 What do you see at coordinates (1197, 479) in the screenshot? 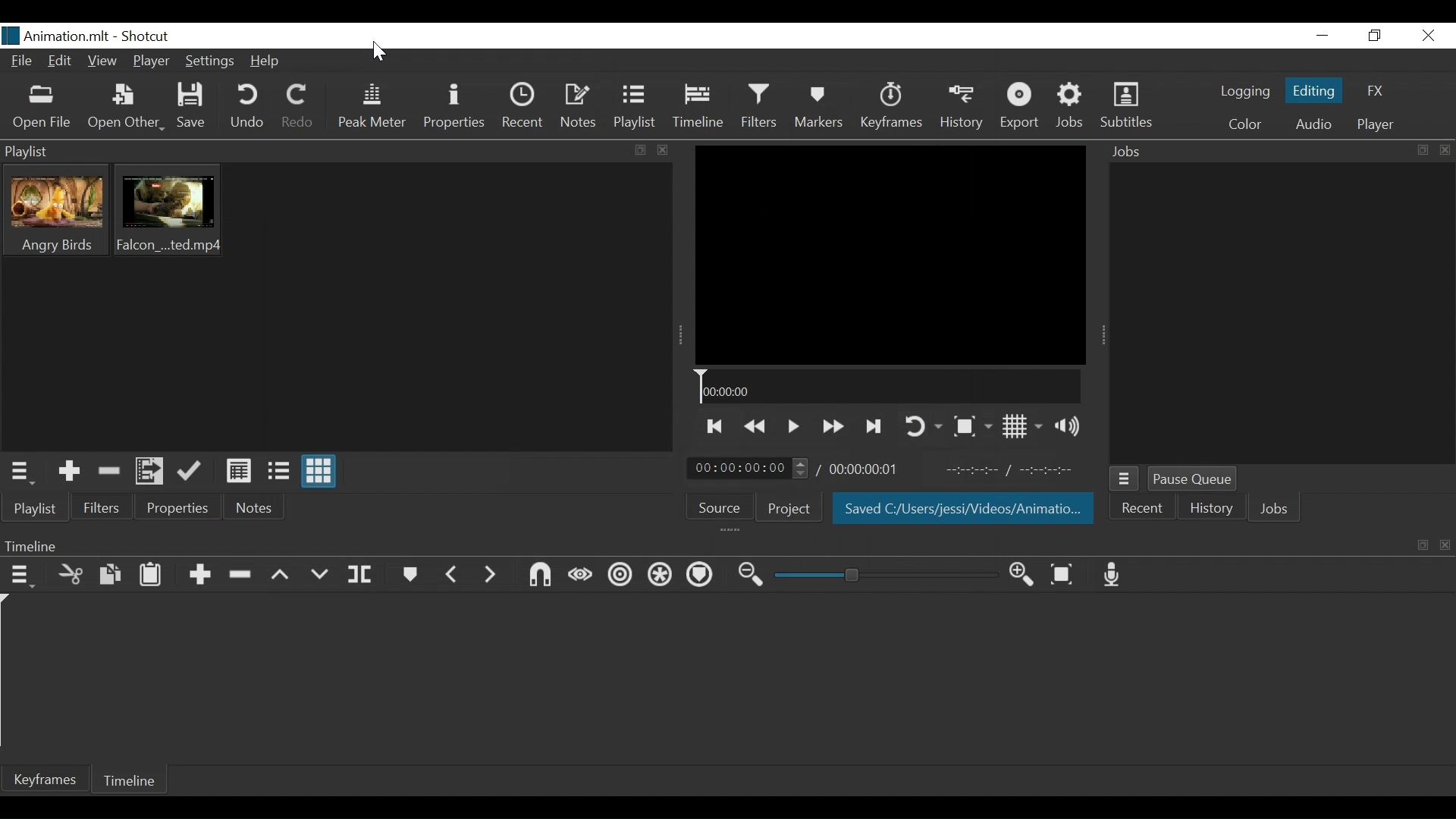
I see `Pause Queue` at bounding box center [1197, 479].